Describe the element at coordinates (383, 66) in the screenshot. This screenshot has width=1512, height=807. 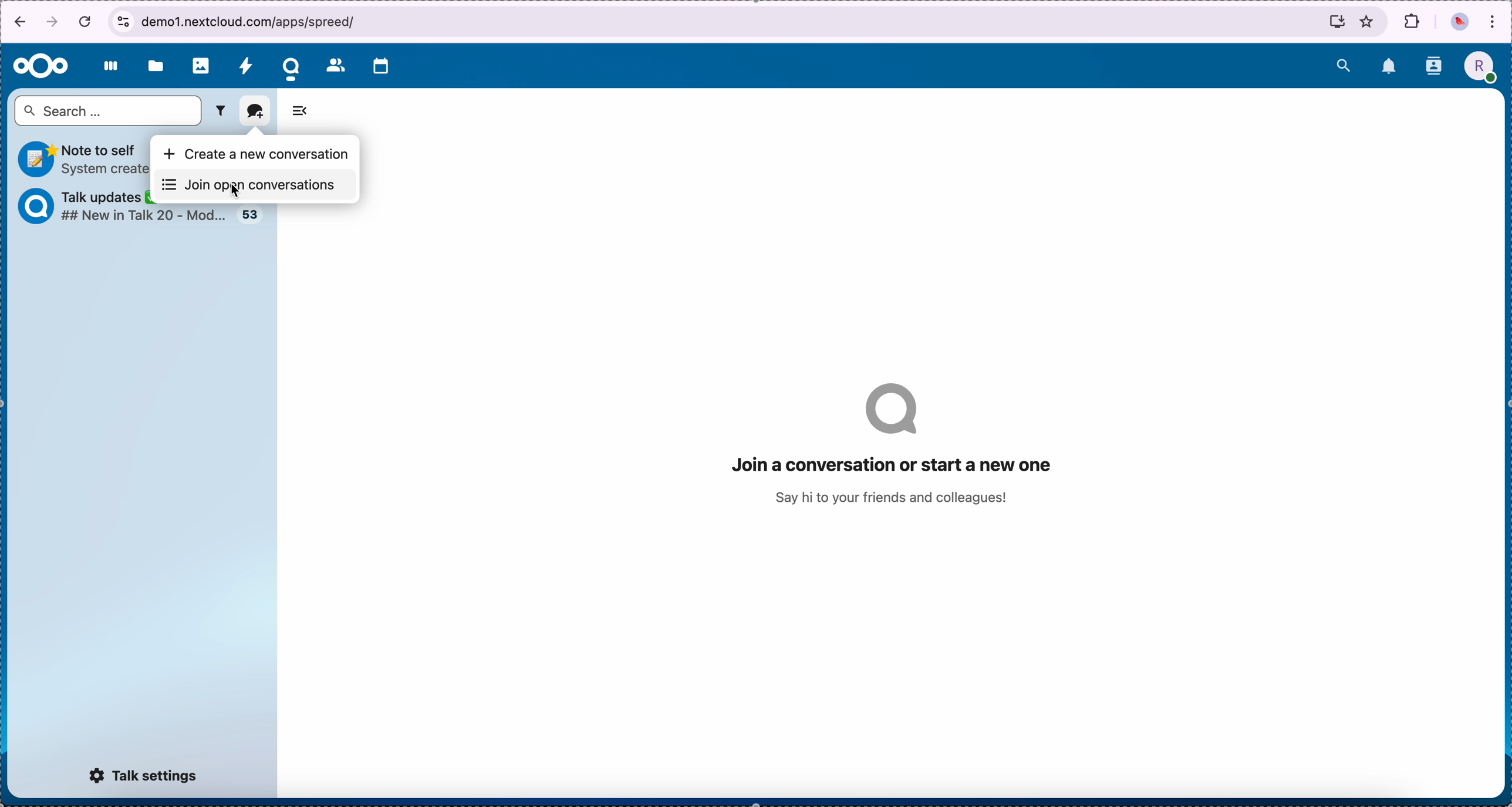
I see `calendar` at that location.